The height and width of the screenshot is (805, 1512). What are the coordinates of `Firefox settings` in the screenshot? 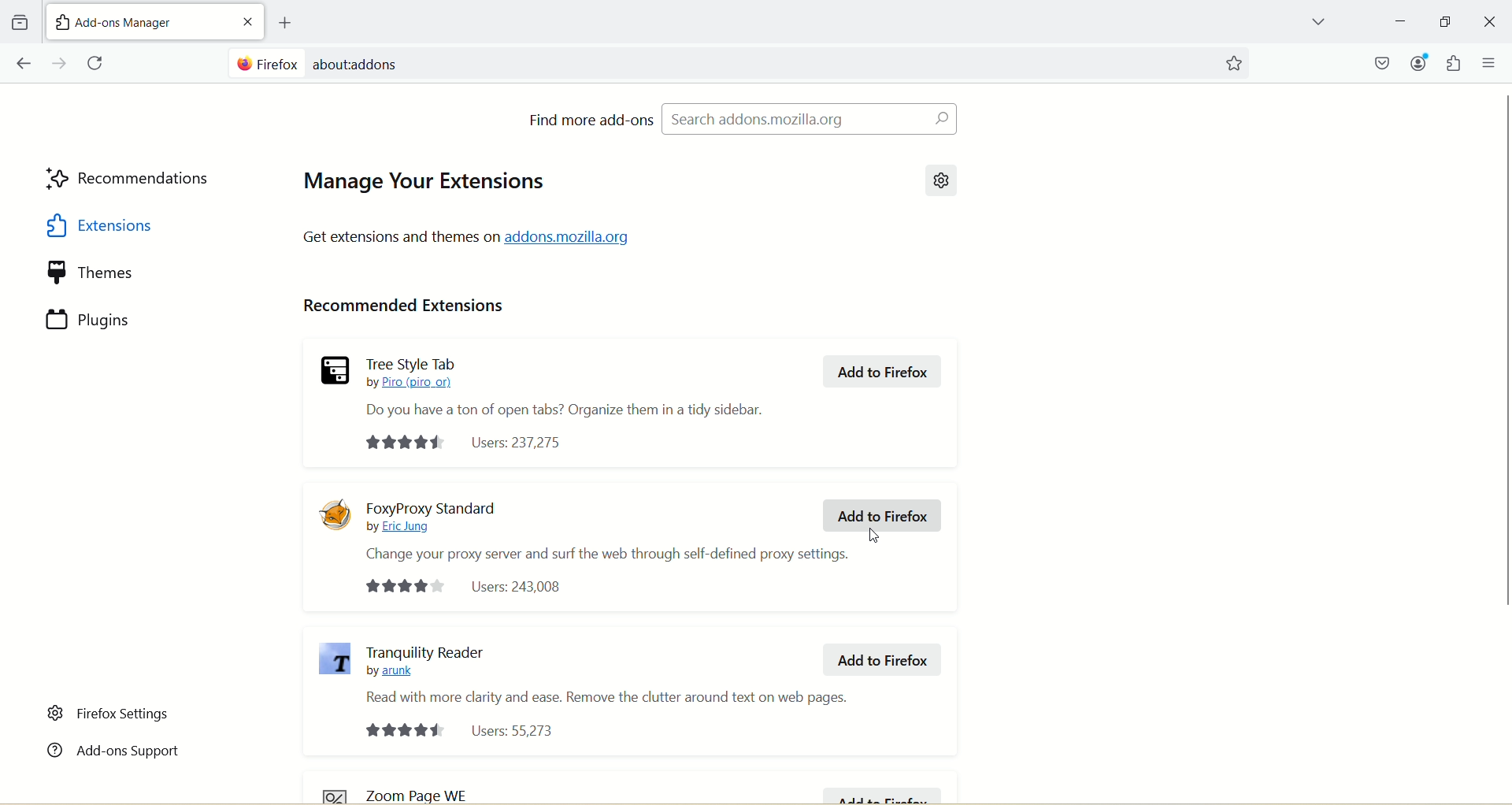 It's located at (110, 714).